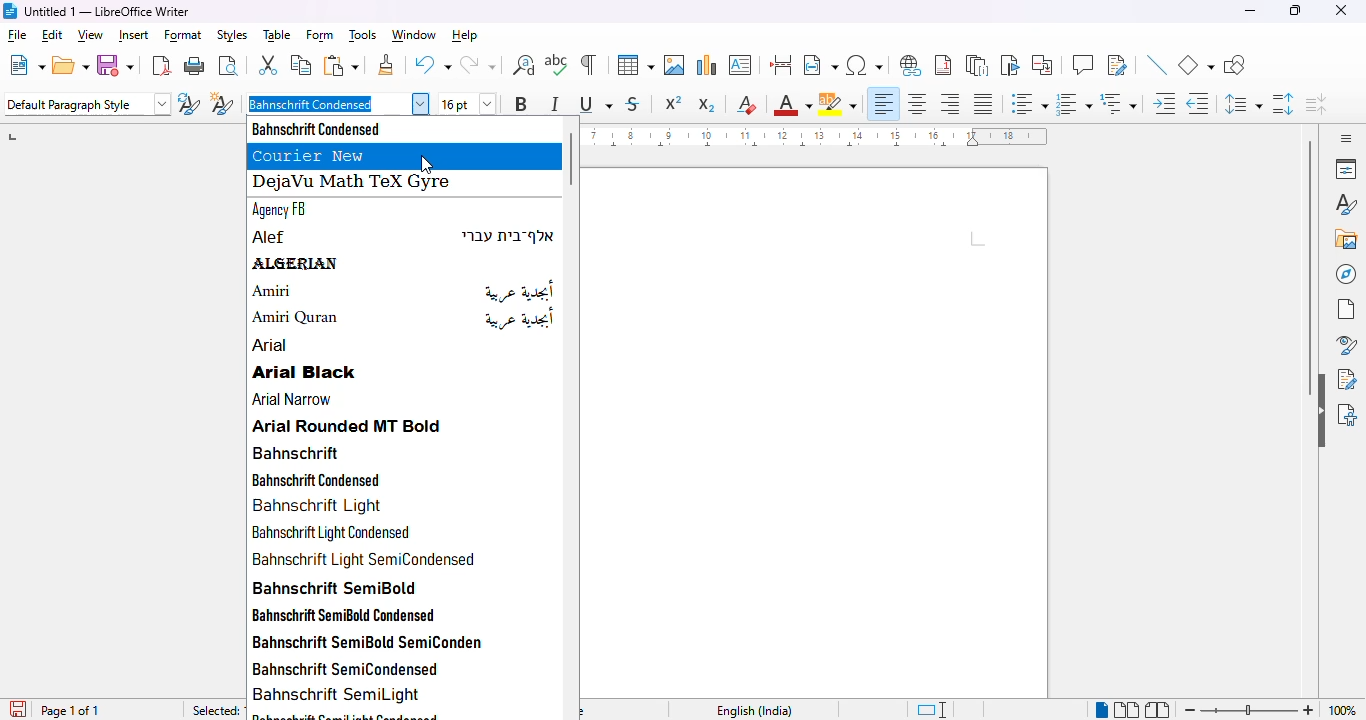 Image resolution: width=1366 pixels, height=720 pixels. I want to click on superscript, so click(674, 103).